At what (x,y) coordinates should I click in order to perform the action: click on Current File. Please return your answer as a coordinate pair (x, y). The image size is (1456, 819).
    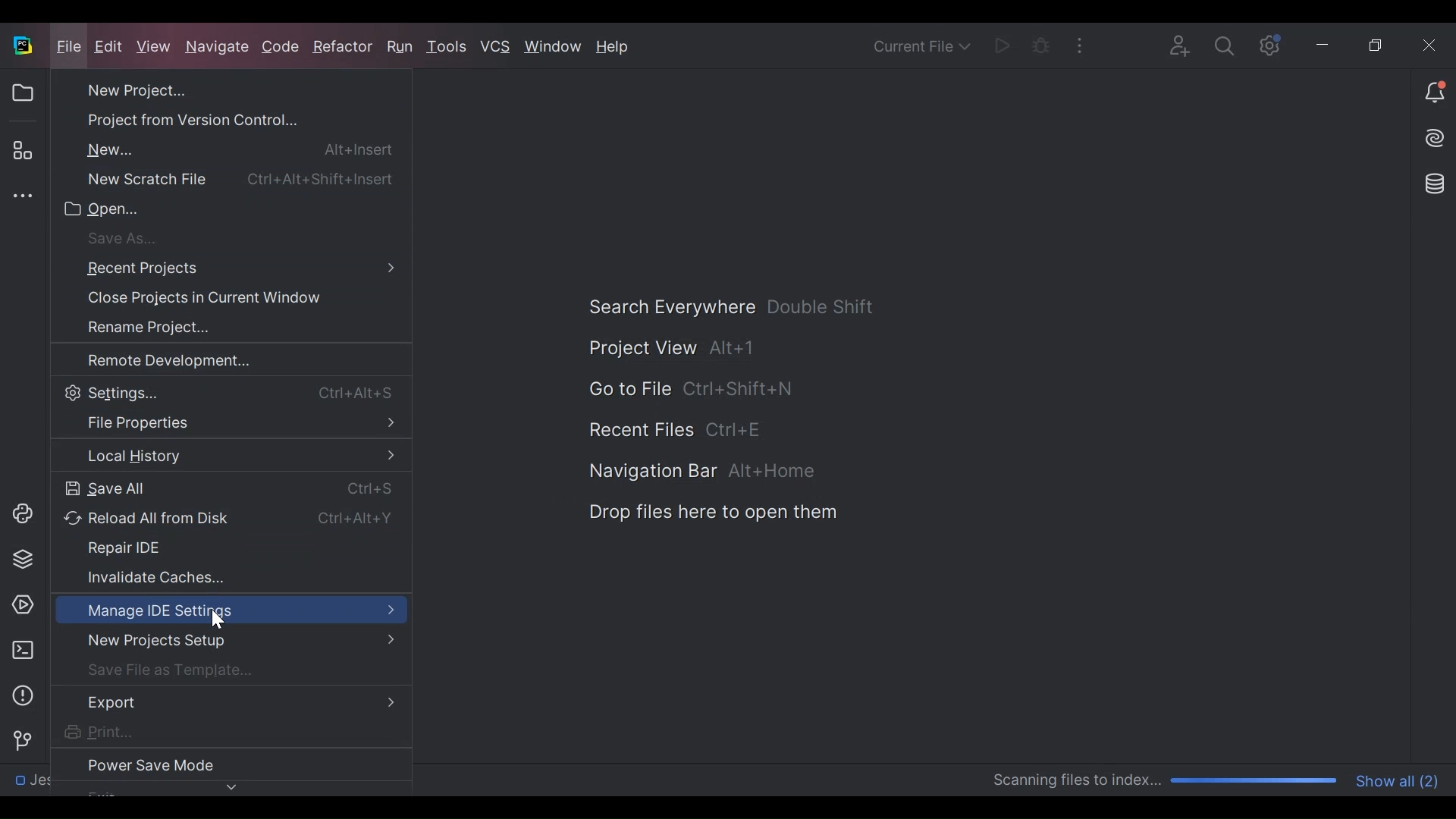
    Looking at the image, I should click on (923, 45).